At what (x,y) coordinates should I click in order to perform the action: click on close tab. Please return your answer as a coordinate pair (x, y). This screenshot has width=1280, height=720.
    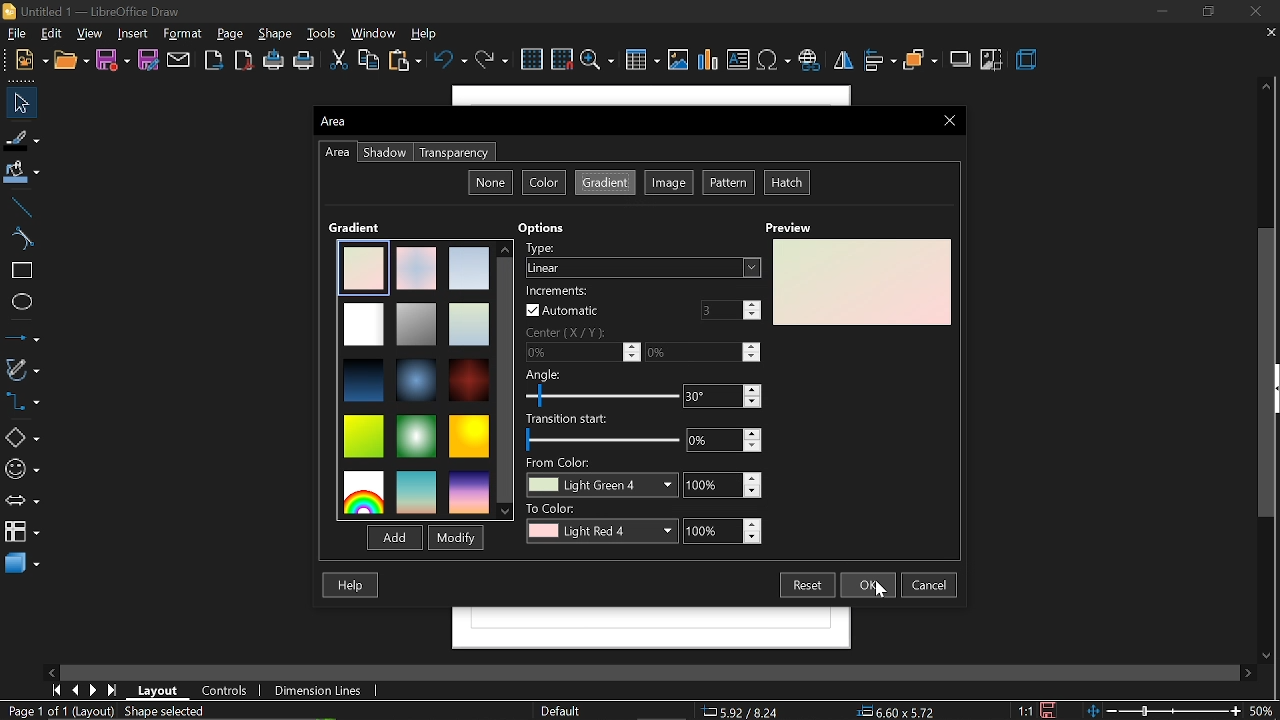
    Looking at the image, I should click on (1267, 35).